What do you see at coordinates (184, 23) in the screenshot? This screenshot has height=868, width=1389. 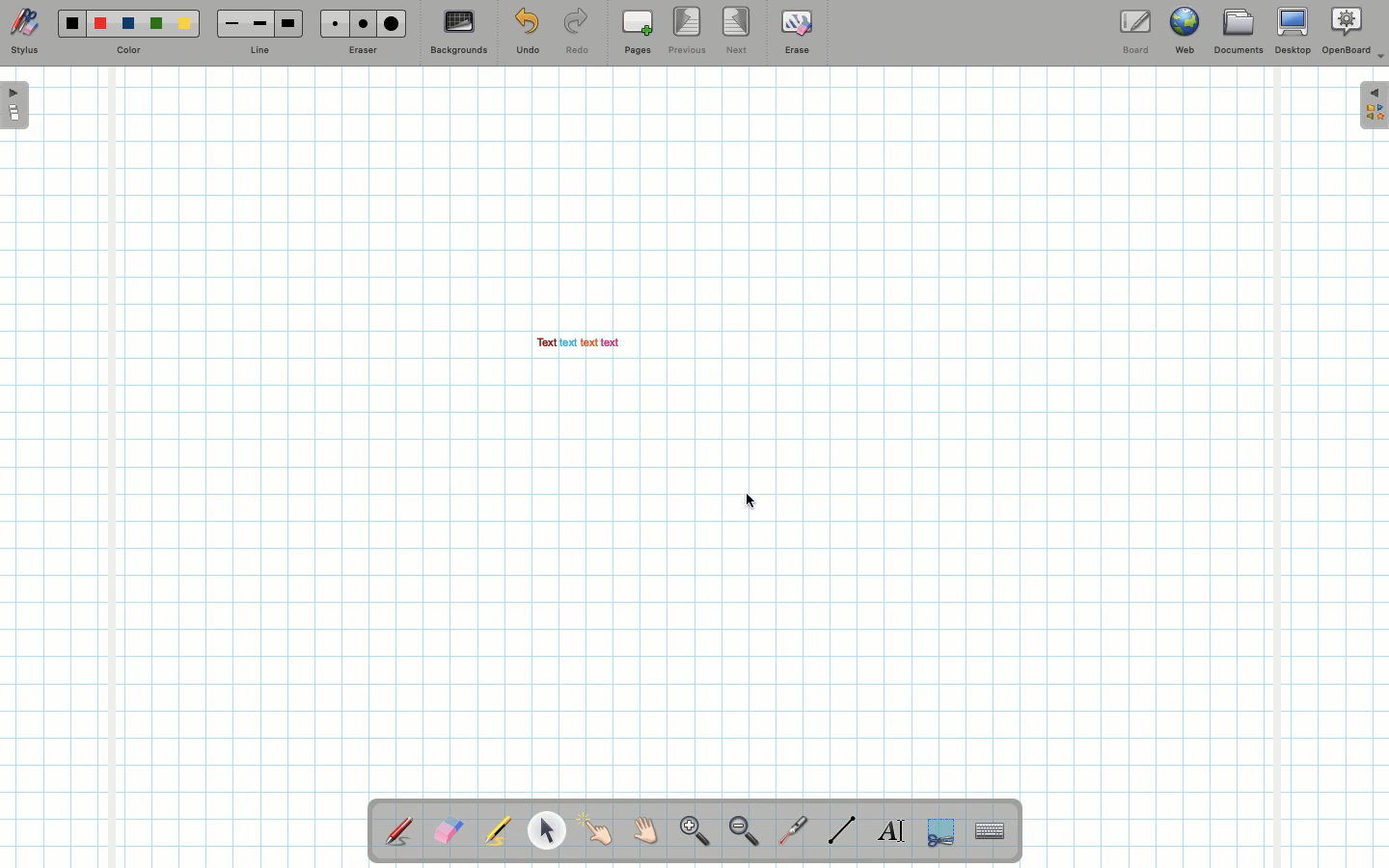 I see `Yellow` at bounding box center [184, 23].